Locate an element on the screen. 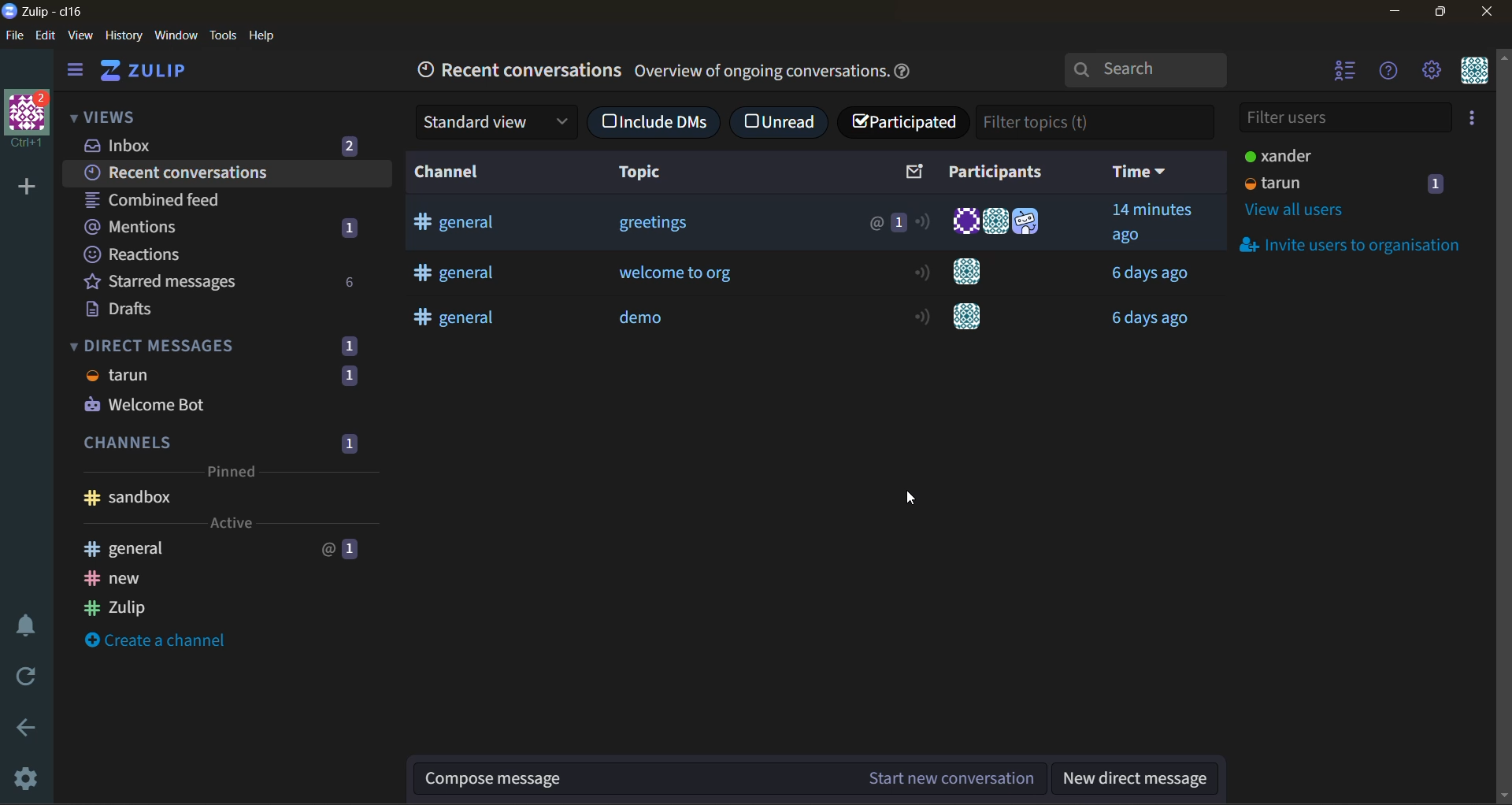 The height and width of the screenshot is (805, 1512). active status is located at coordinates (923, 318).